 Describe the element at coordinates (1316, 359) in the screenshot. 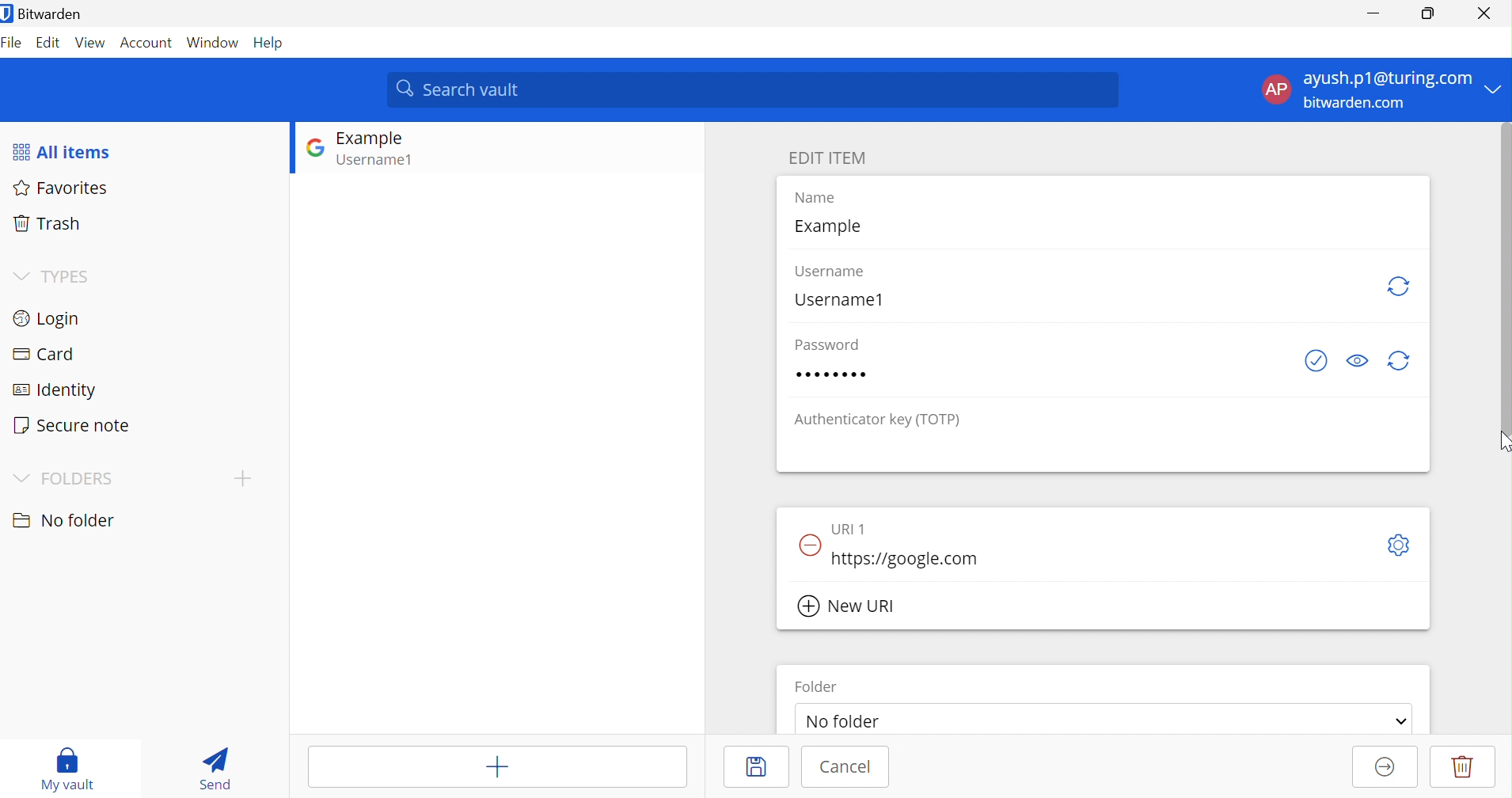

I see `Check if password has been exposed` at that location.